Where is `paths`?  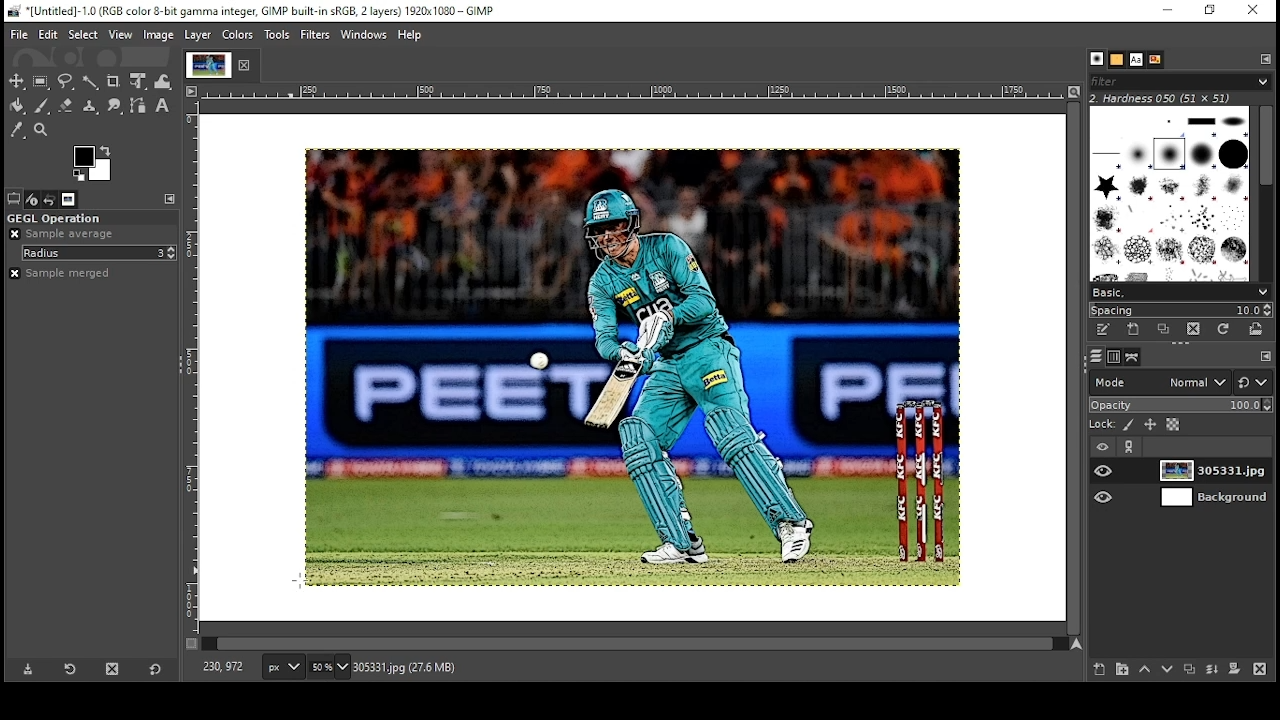 paths is located at coordinates (1133, 356).